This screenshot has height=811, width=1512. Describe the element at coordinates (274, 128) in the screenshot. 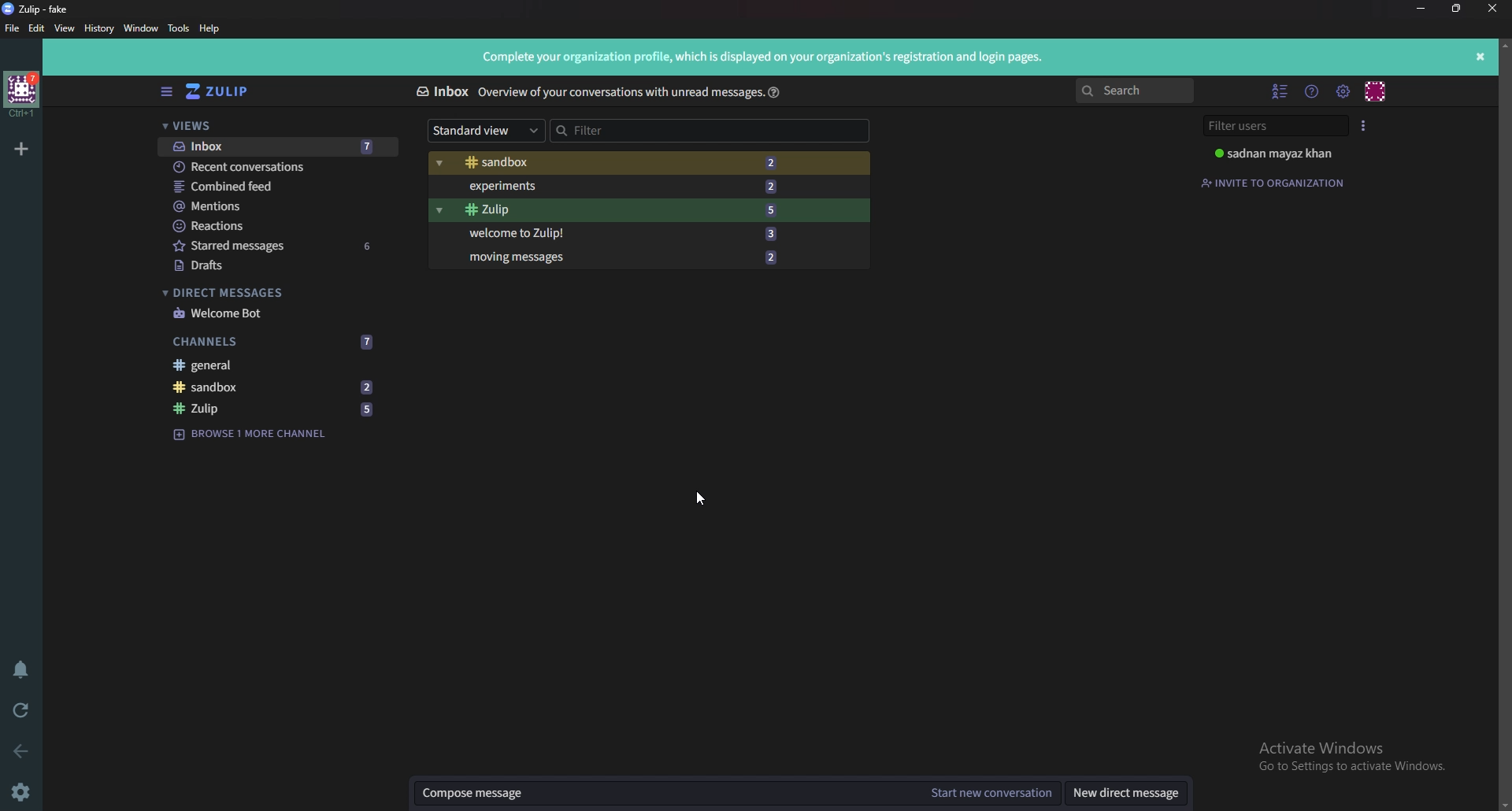

I see `Views` at that location.